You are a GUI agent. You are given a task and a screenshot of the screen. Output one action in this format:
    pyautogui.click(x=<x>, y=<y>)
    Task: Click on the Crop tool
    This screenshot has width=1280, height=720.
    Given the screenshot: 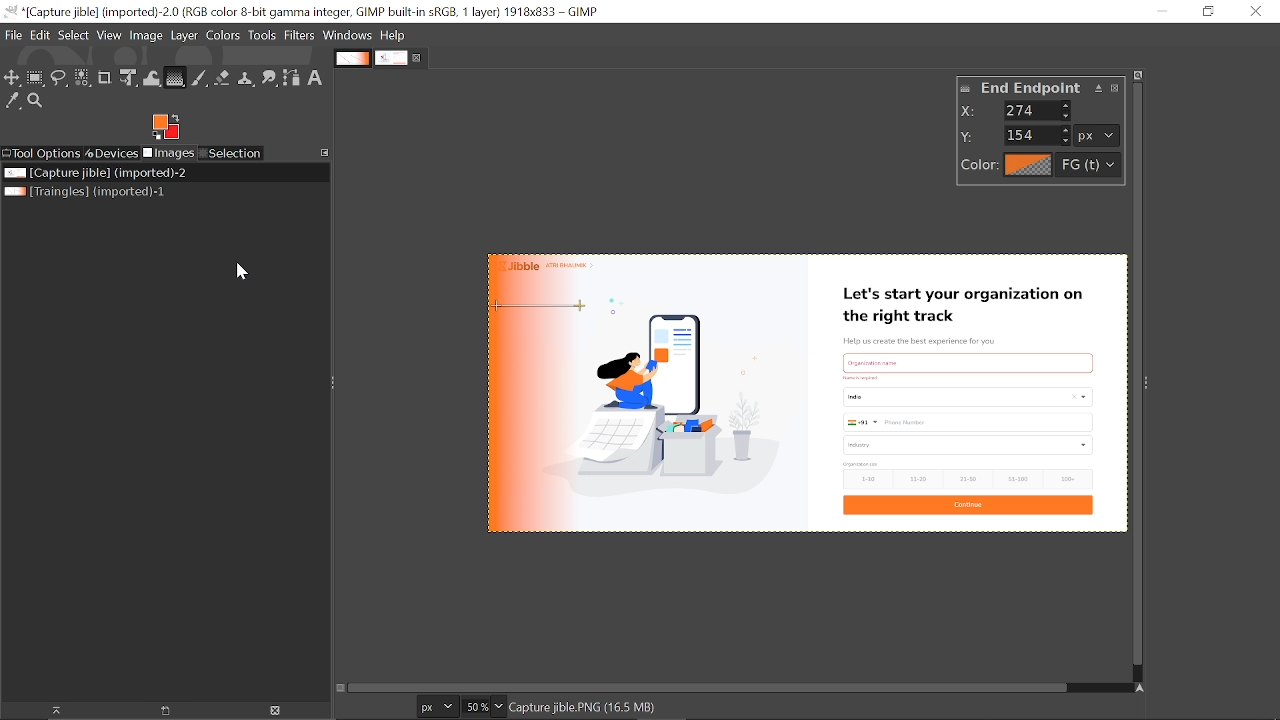 What is the action you would take?
    pyautogui.click(x=106, y=77)
    